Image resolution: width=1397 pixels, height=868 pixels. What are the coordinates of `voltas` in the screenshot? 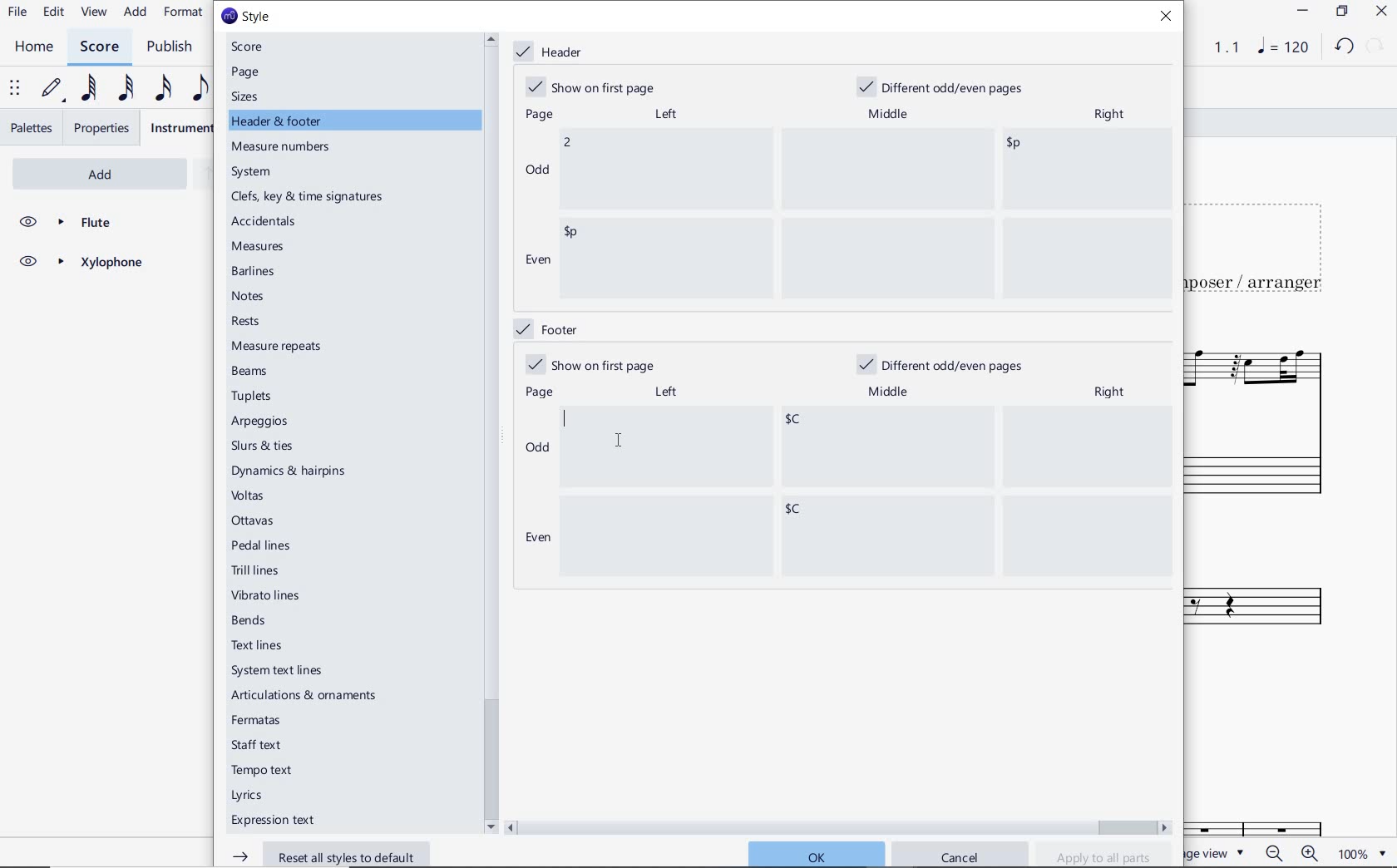 It's located at (249, 496).